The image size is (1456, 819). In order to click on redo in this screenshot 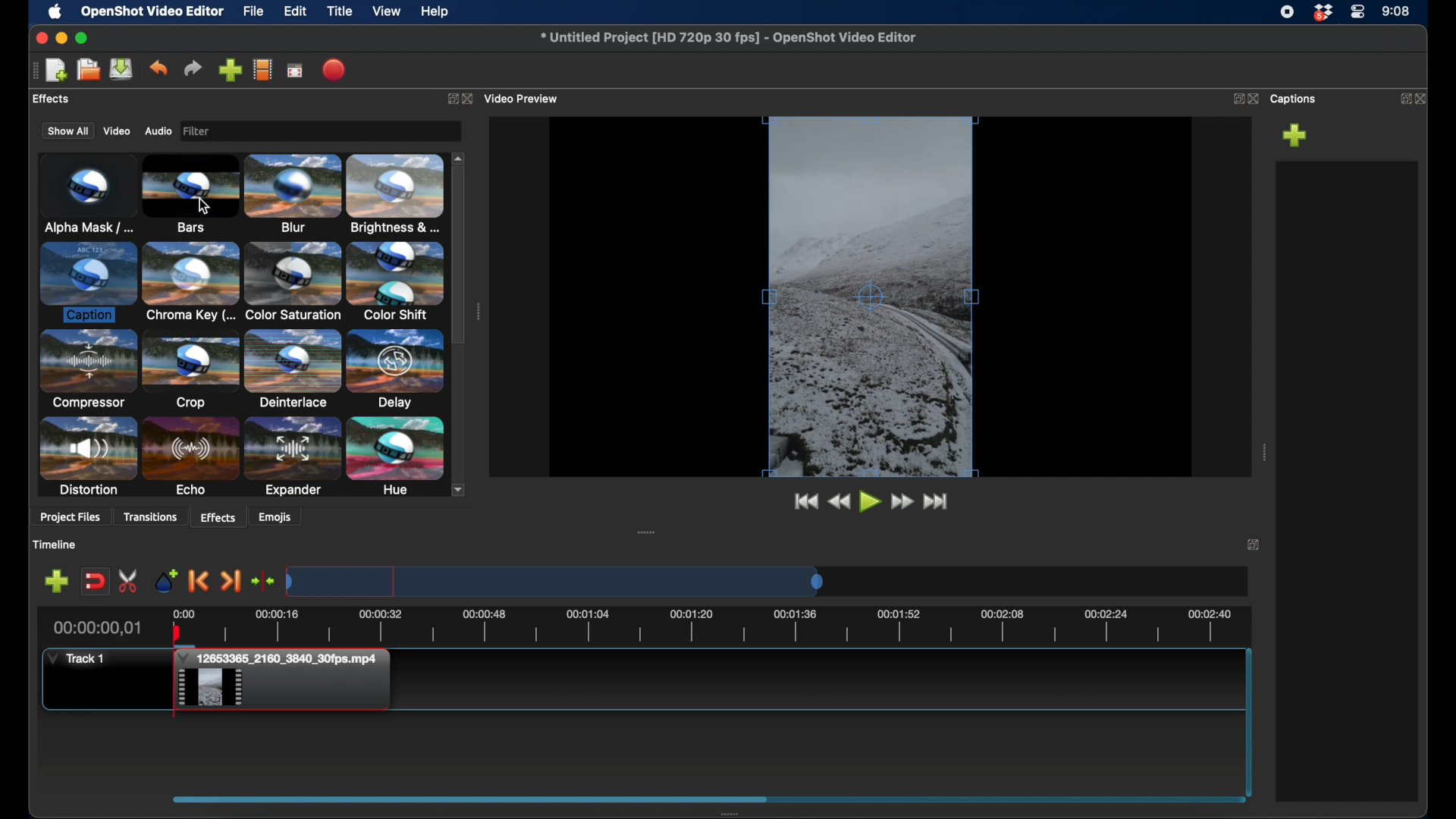, I will do `click(193, 68)`.